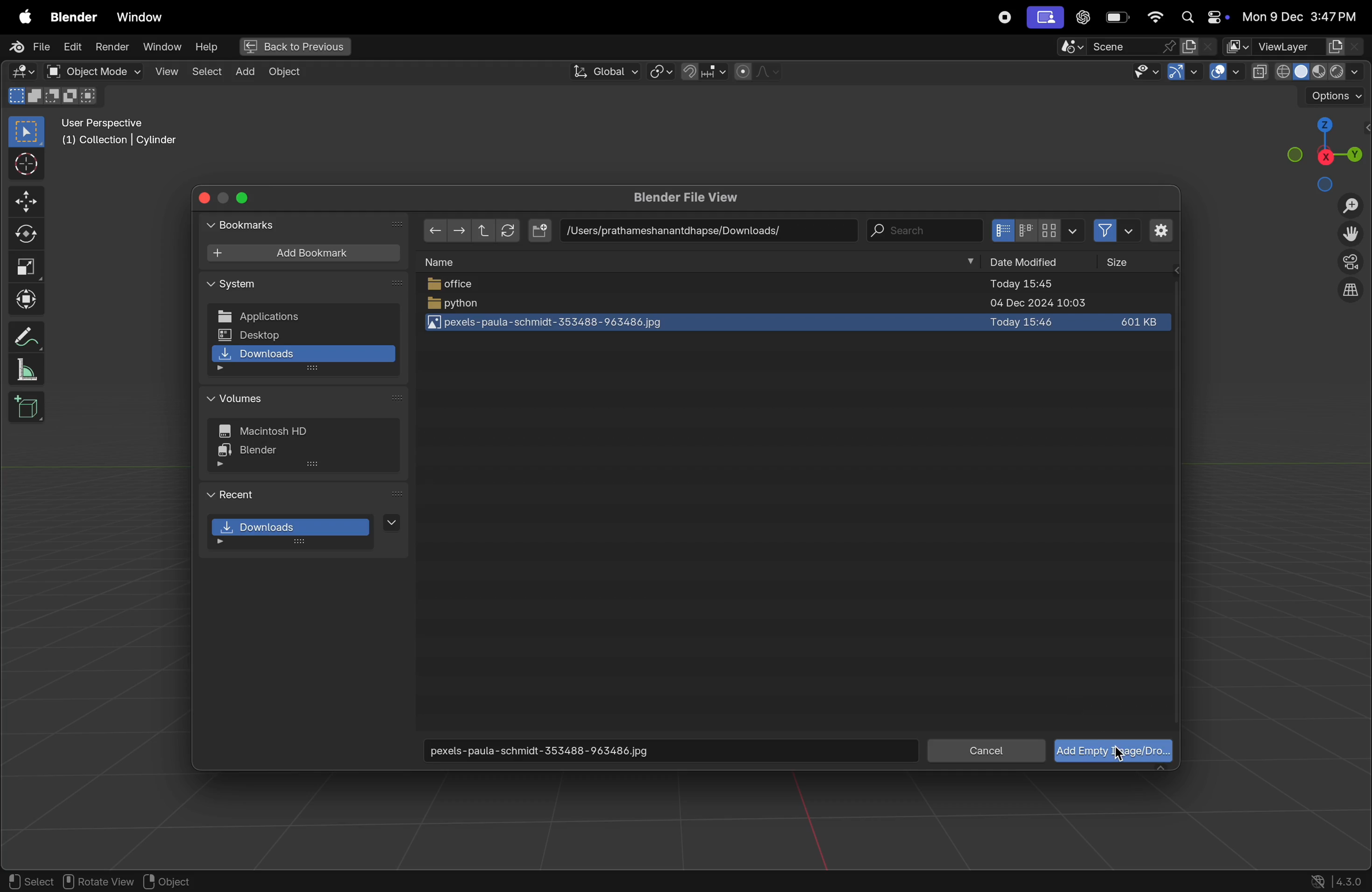 This screenshot has height=892, width=1372. Describe the element at coordinates (206, 196) in the screenshot. I see `close` at that location.